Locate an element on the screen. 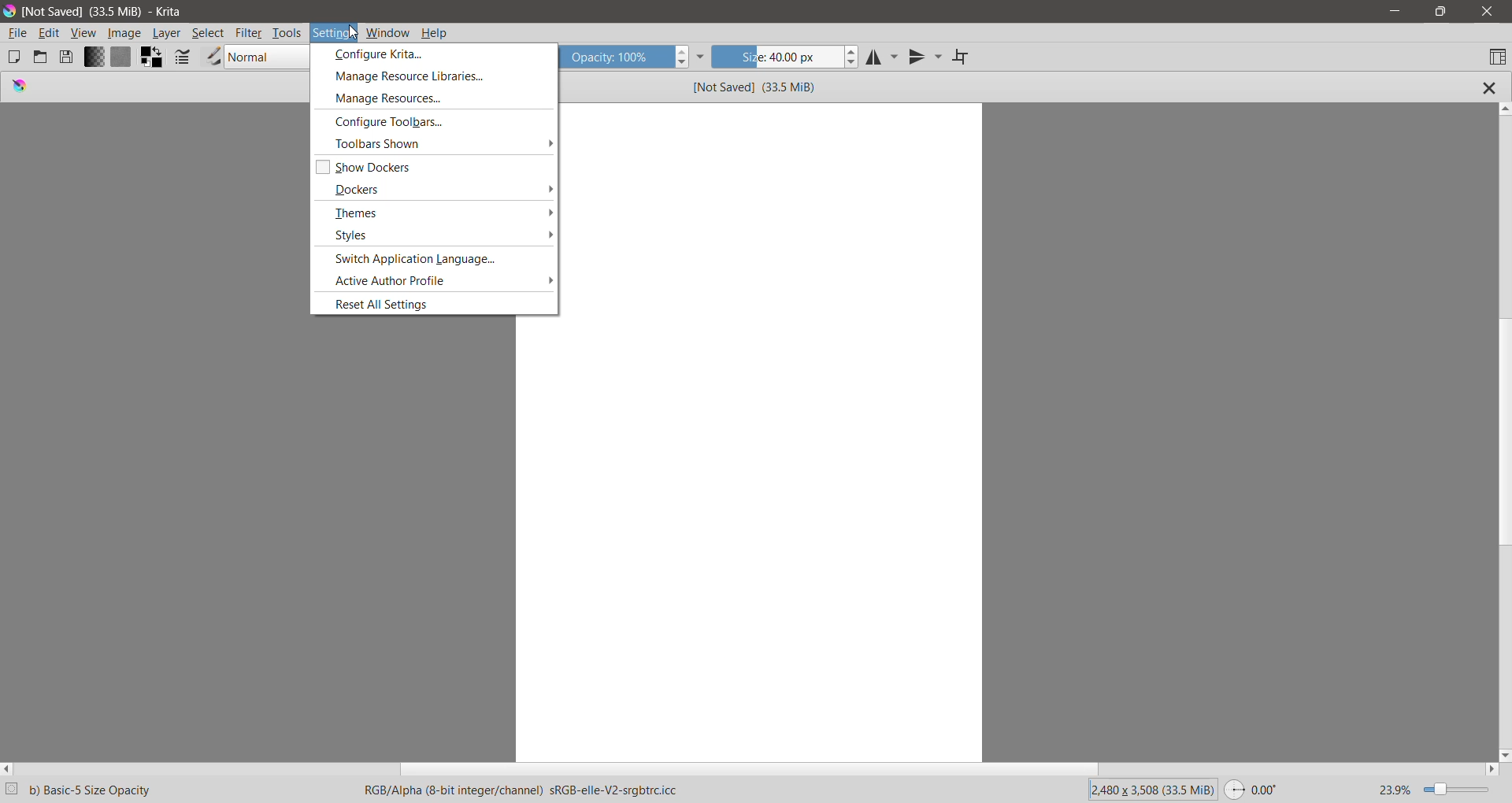  Application Logo is located at coordinates (9, 11).